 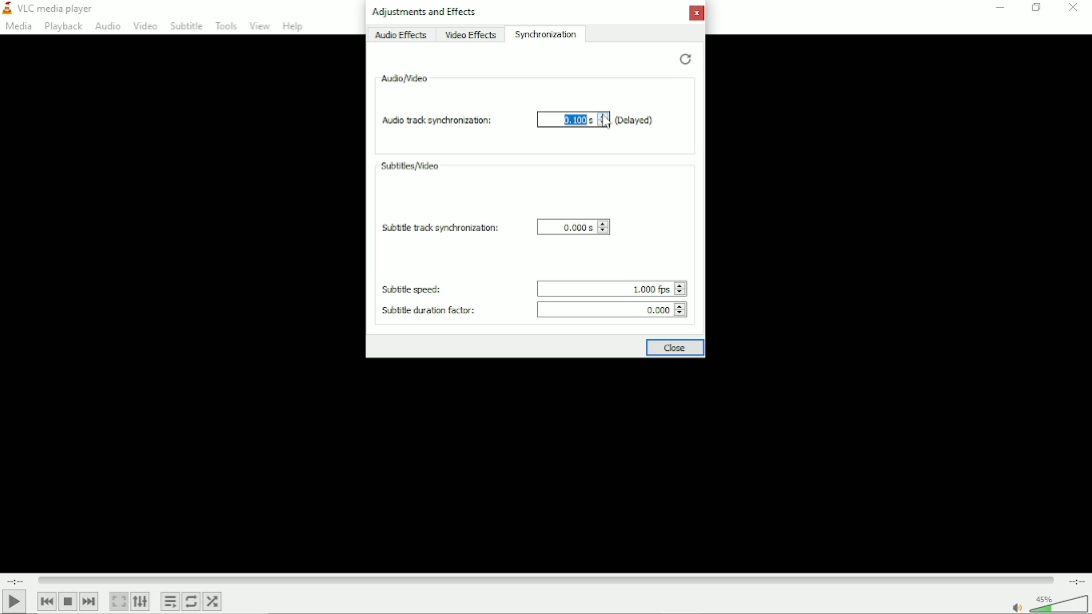 What do you see at coordinates (574, 226) in the screenshot?
I see `0.000s` at bounding box center [574, 226].